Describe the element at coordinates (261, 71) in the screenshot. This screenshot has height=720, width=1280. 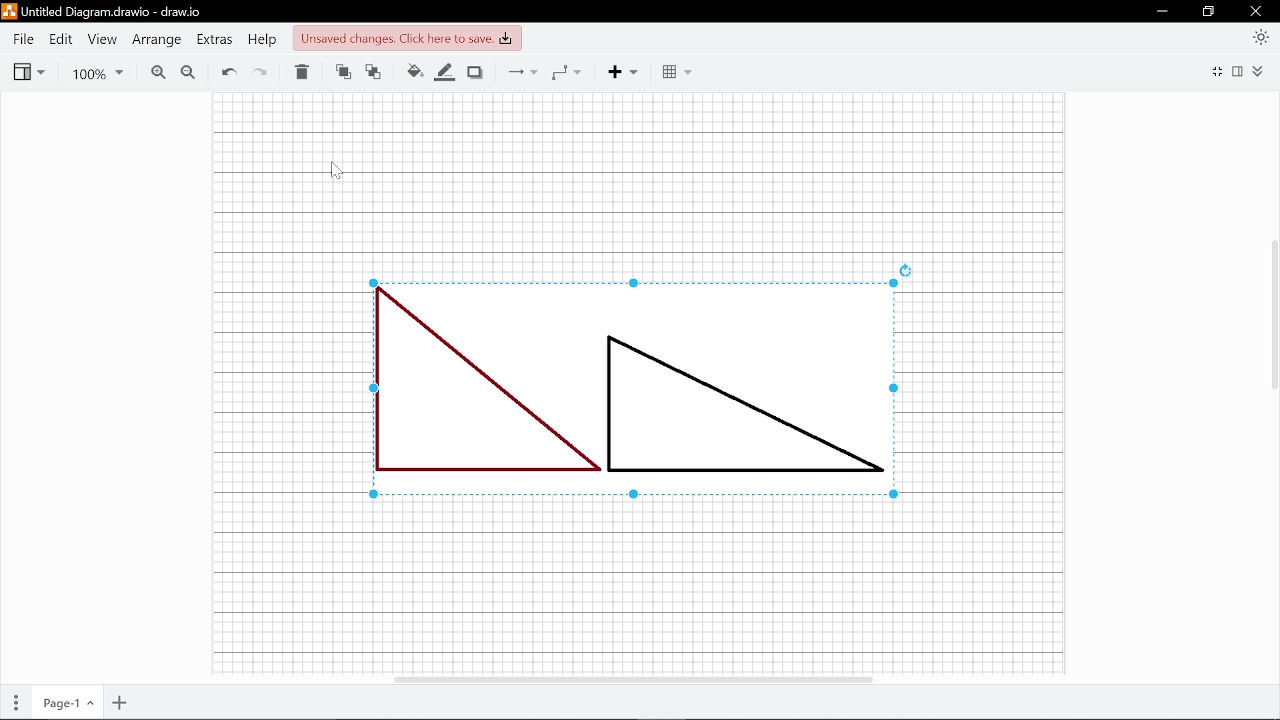
I see `Redo` at that location.